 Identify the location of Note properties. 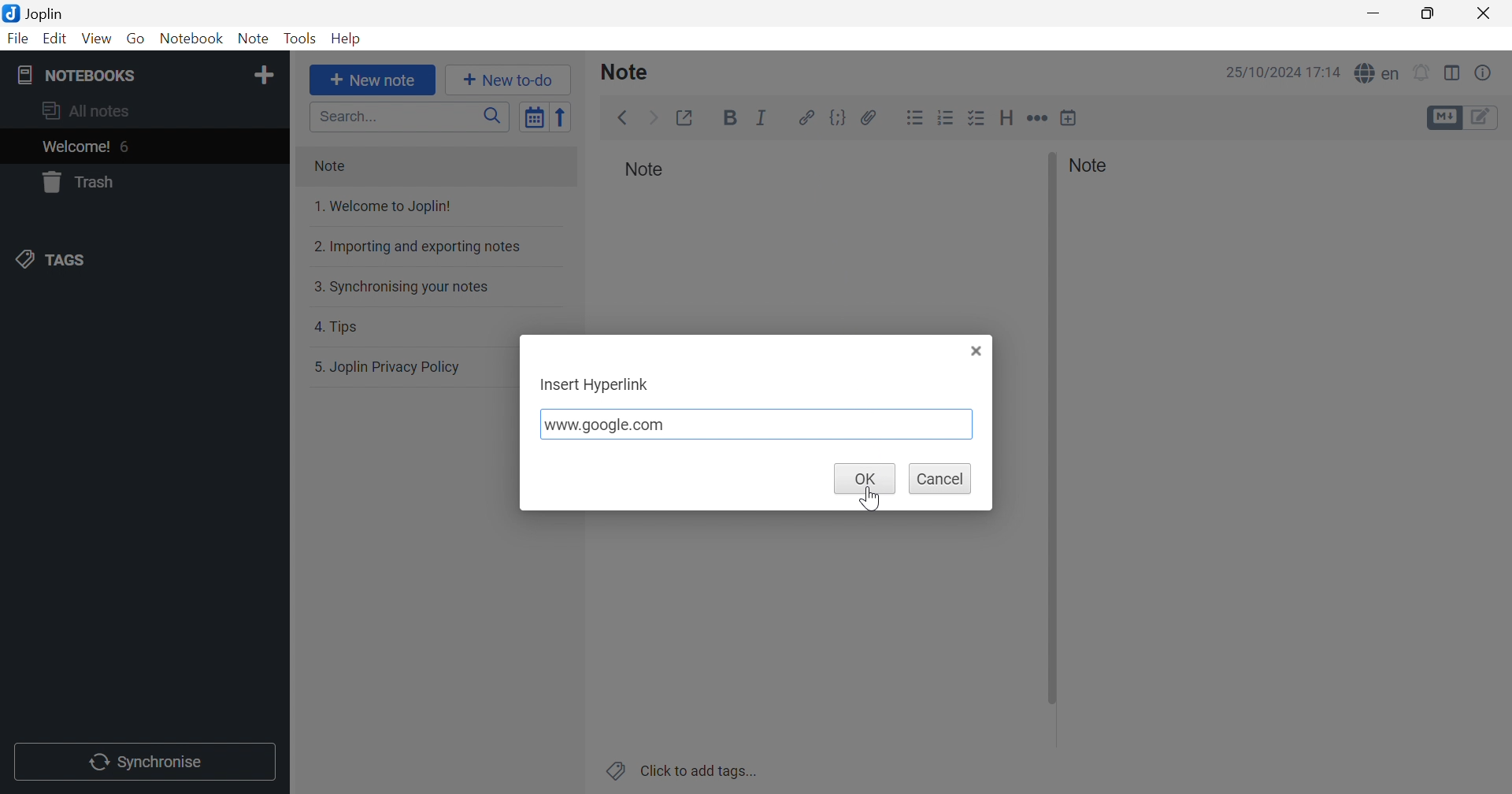
(1484, 72).